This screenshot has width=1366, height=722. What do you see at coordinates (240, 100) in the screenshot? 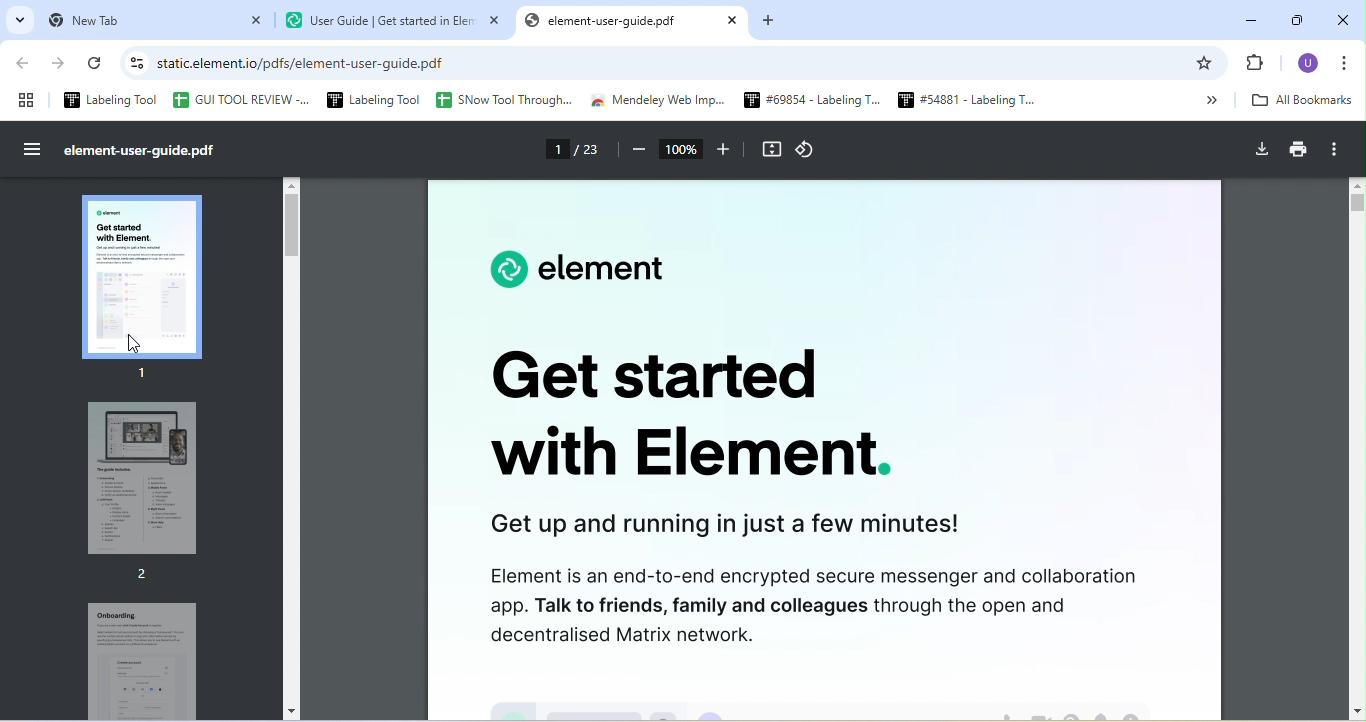
I see `GUI TOOL REVIEW -...` at bounding box center [240, 100].